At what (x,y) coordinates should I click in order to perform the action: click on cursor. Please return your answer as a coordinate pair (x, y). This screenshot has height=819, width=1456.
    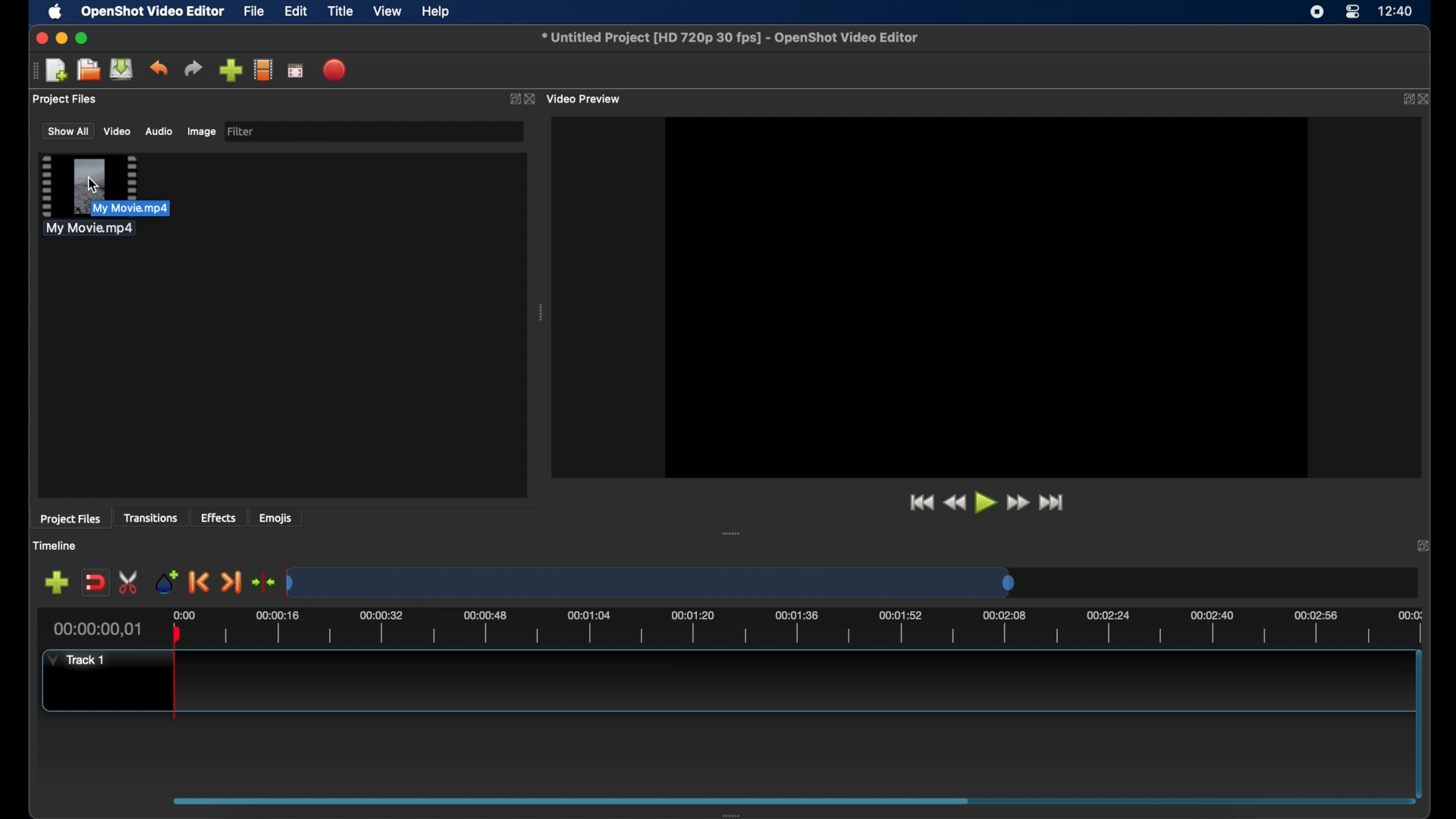
    Looking at the image, I should click on (90, 183).